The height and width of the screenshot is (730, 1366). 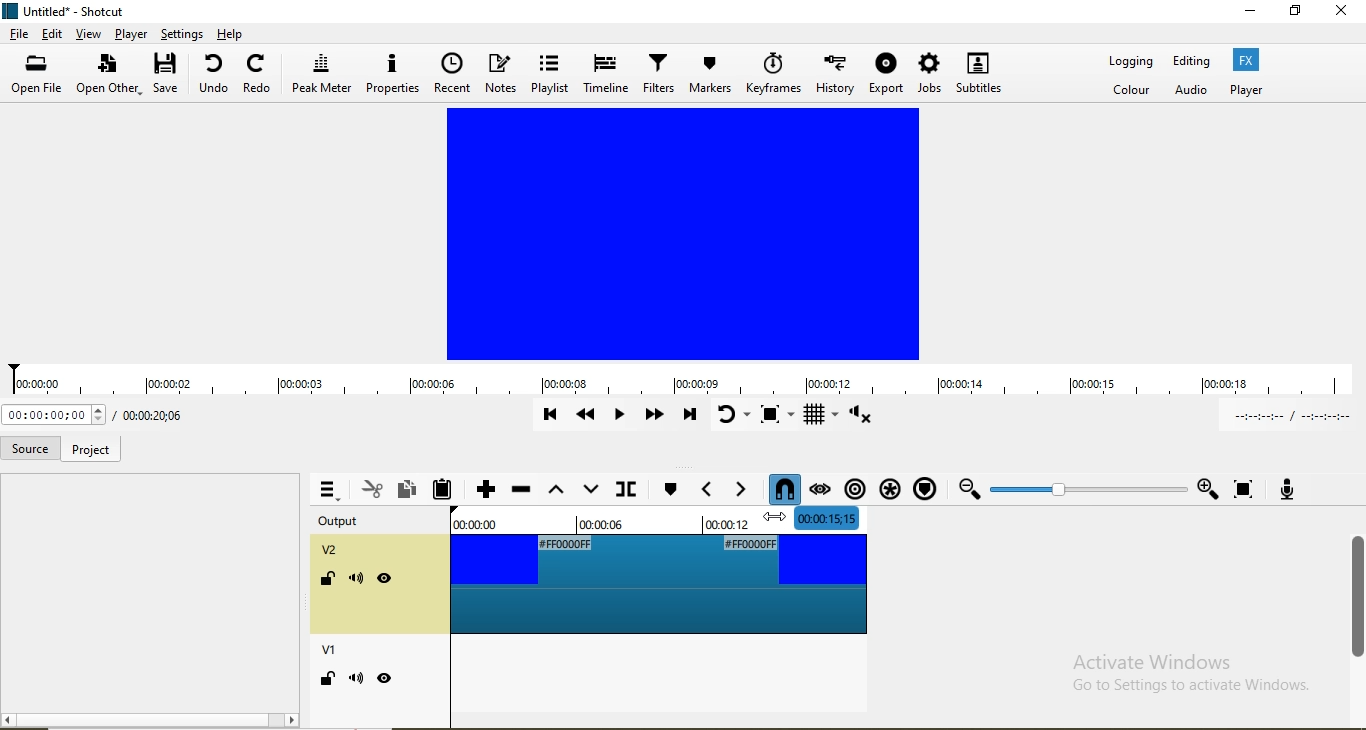 What do you see at coordinates (258, 77) in the screenshot?
I see `redo` at bounding box center [258, 77].